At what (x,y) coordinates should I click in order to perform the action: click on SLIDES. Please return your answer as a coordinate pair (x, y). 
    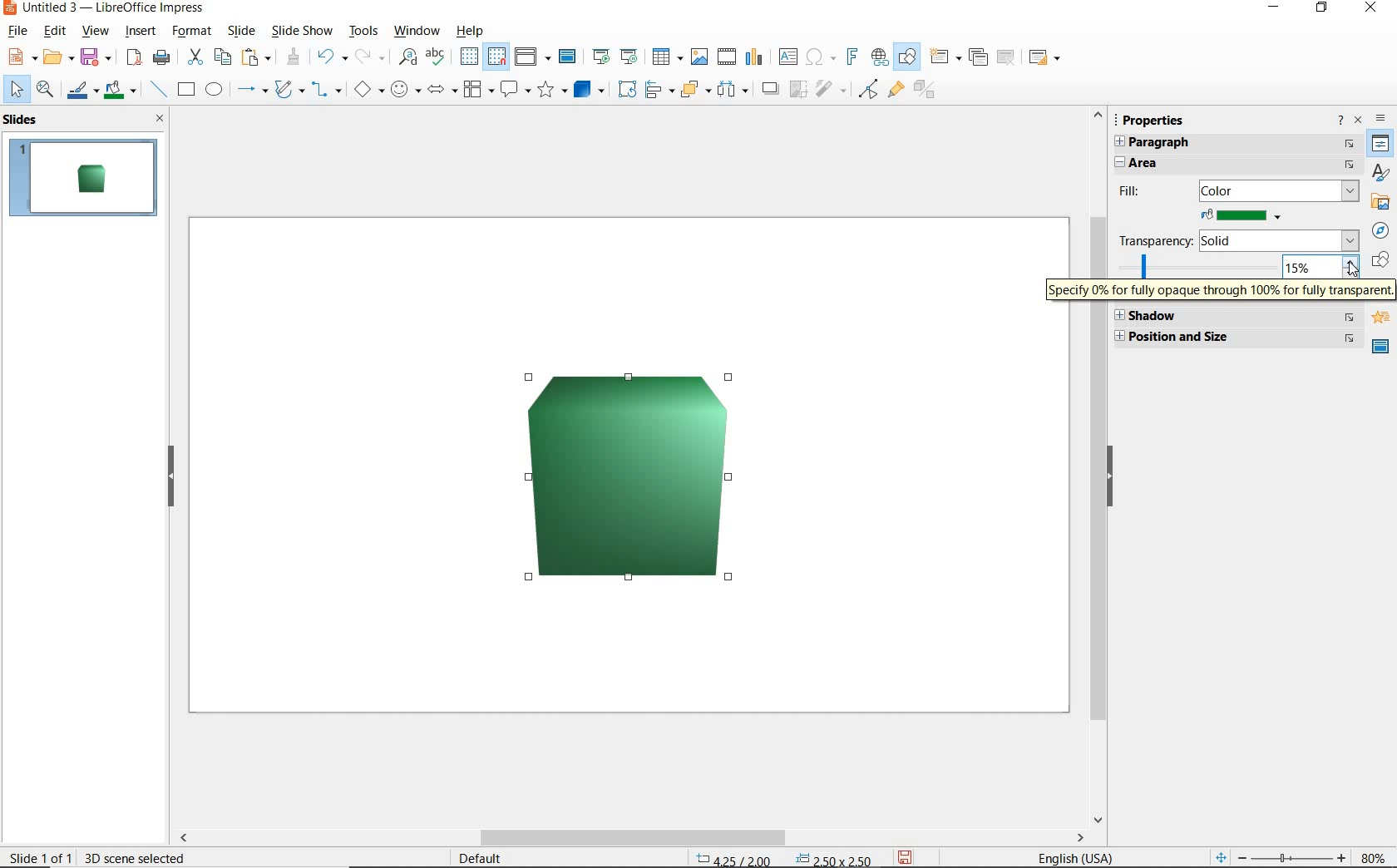
    Looking at the image, I should click on (26, 121).